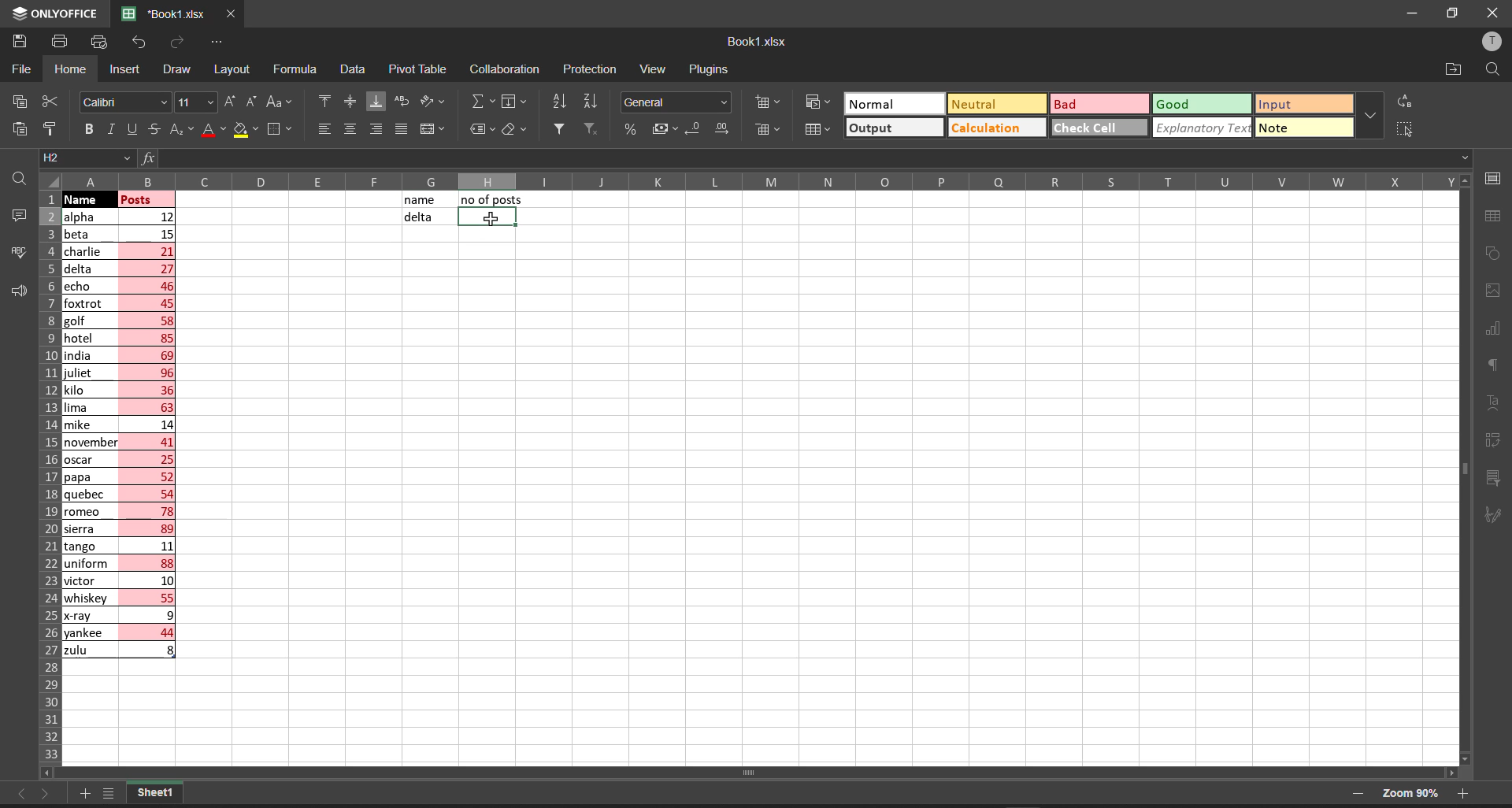 The image size is (1512, 808). Describe the element at coordinates (1494, 176) in the screenshot. I see `cell settings` at that location.